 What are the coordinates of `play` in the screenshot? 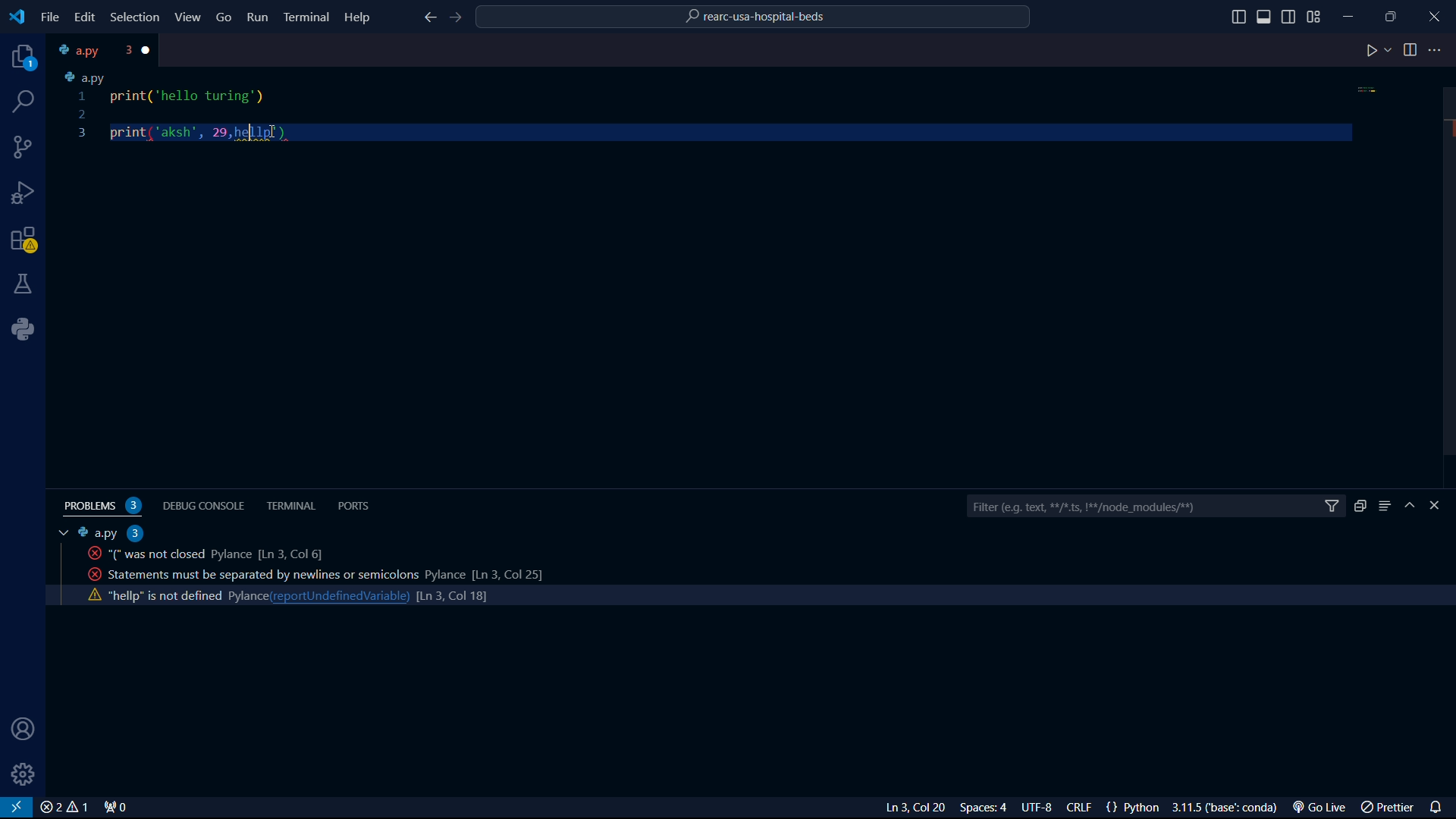 It's located at (1378, 52).